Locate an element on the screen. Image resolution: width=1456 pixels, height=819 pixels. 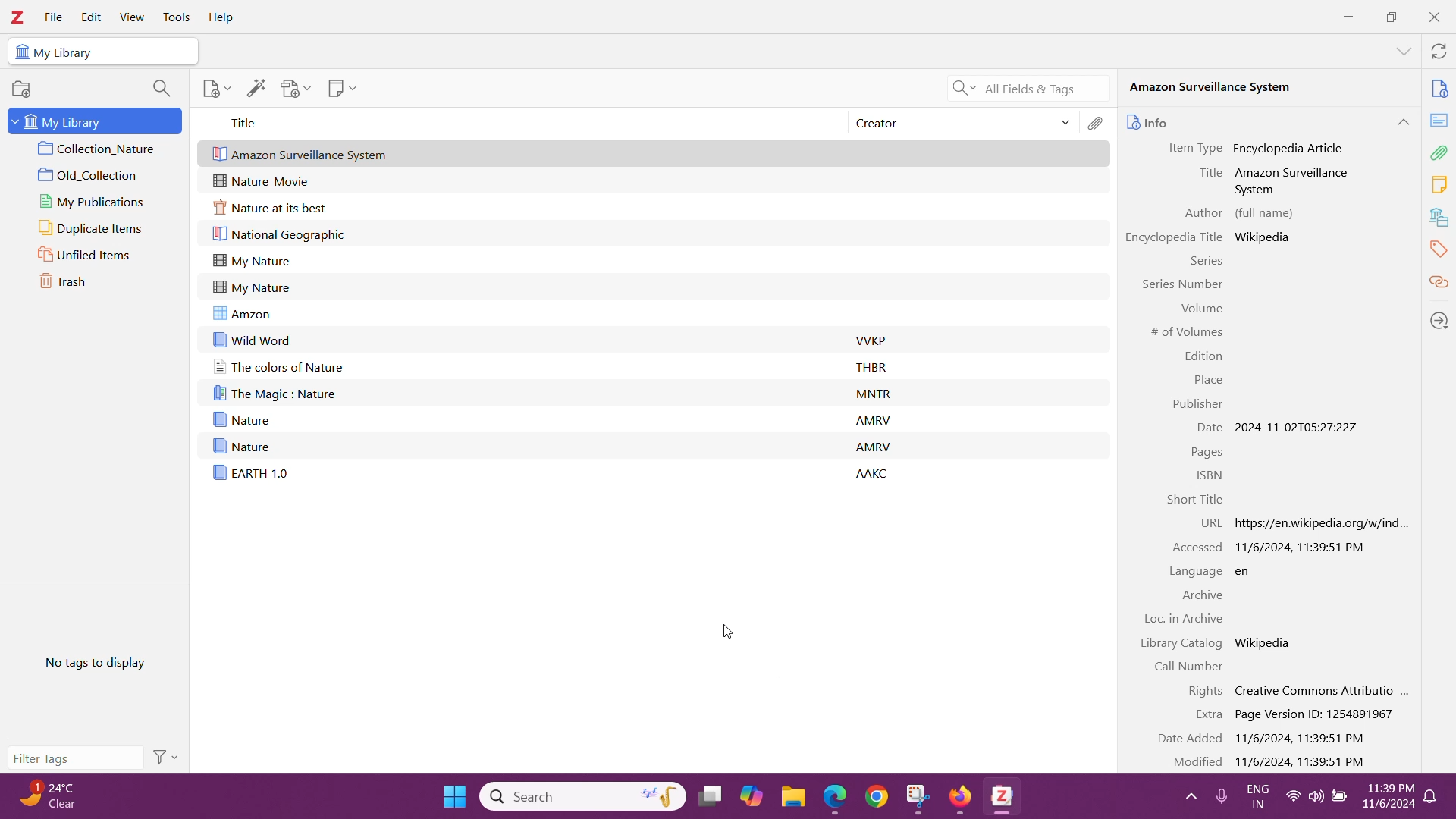
battery is located at coordinates (1337, 796).